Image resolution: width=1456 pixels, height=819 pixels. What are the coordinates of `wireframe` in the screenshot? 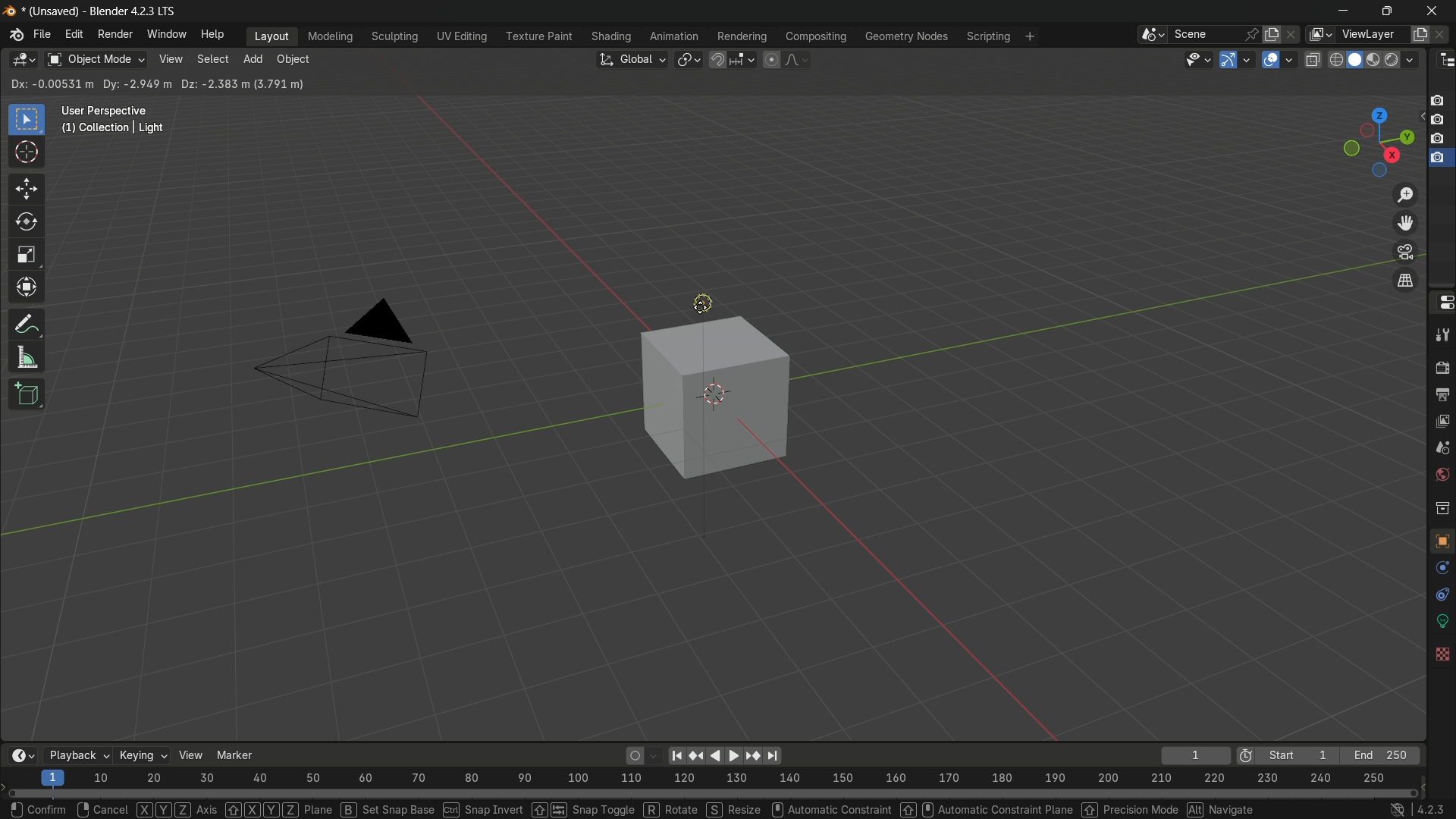 It's located at (1335, 61).